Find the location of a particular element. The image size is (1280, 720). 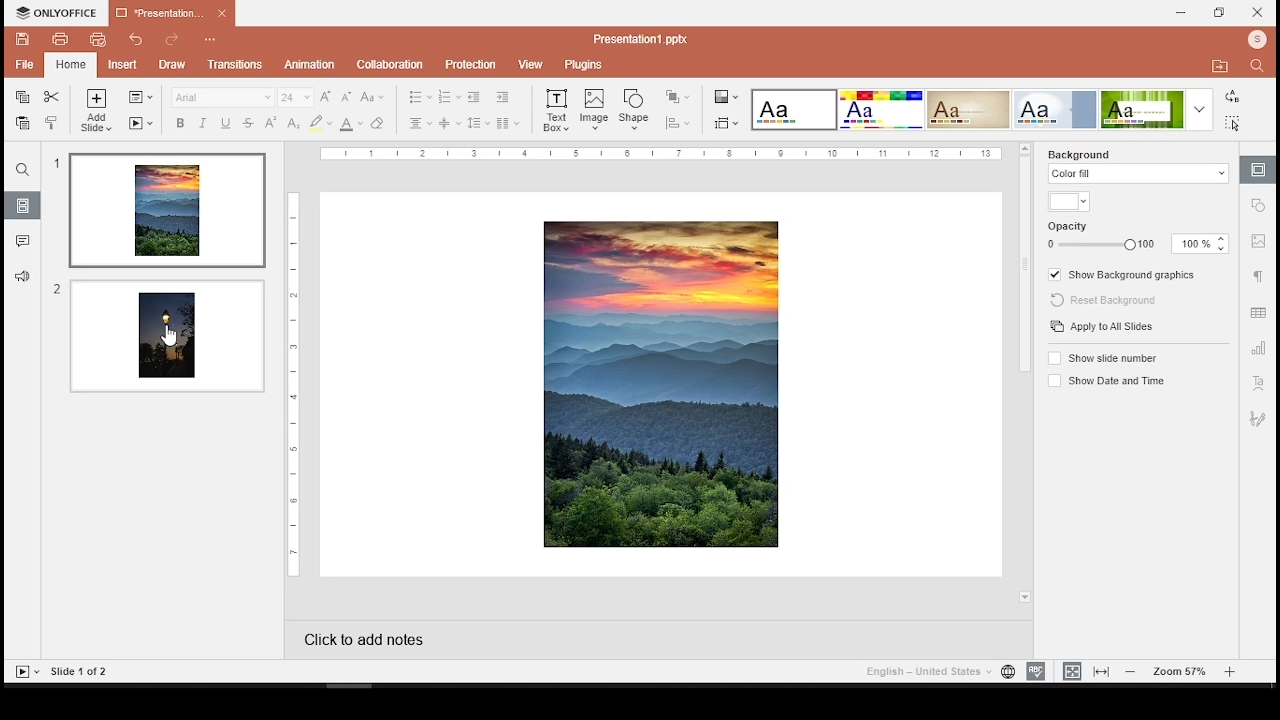

vertical align is located at coordinates (449, 124).